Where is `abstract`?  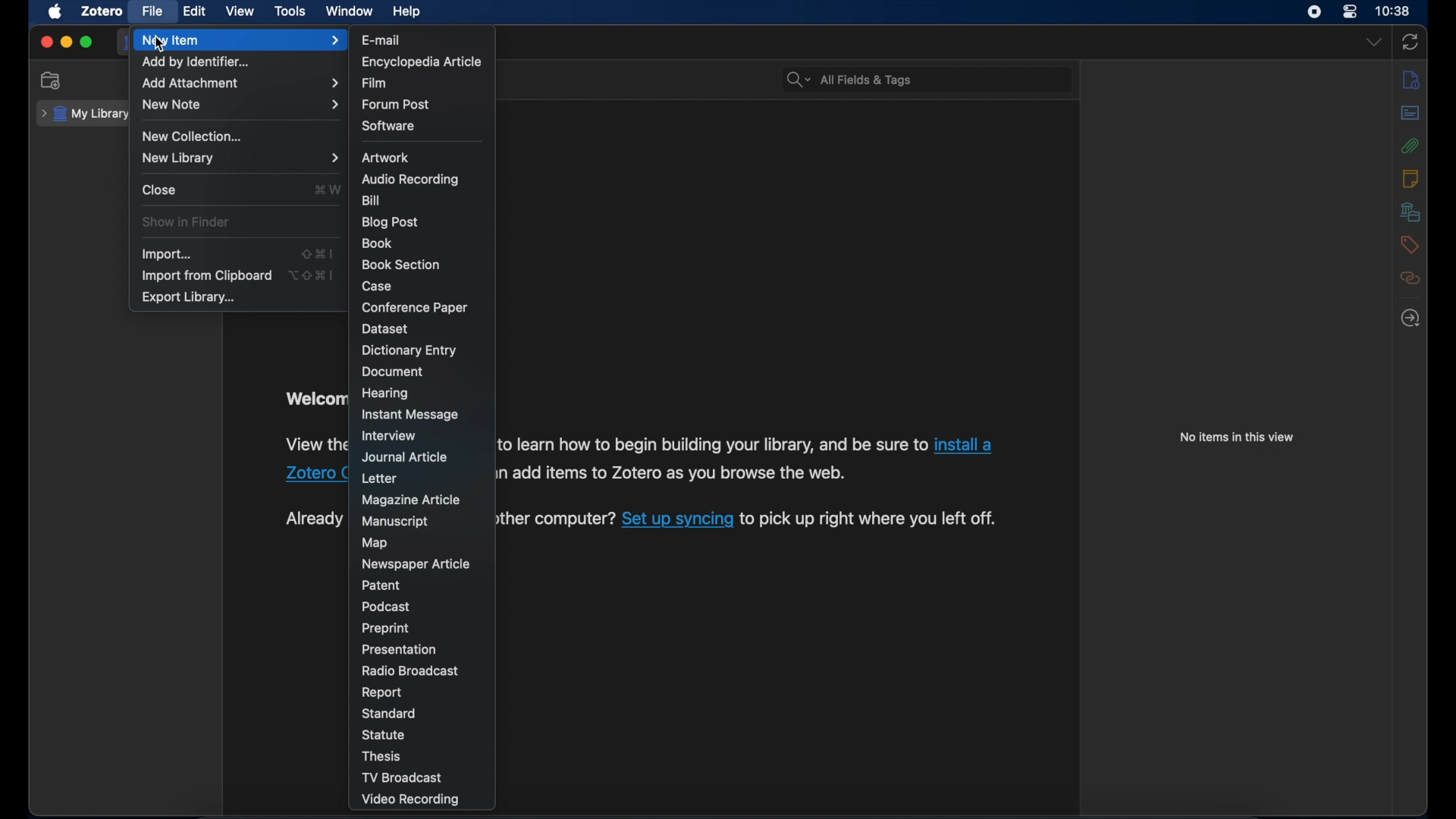 abstract is located at coordinates (1410, 113).